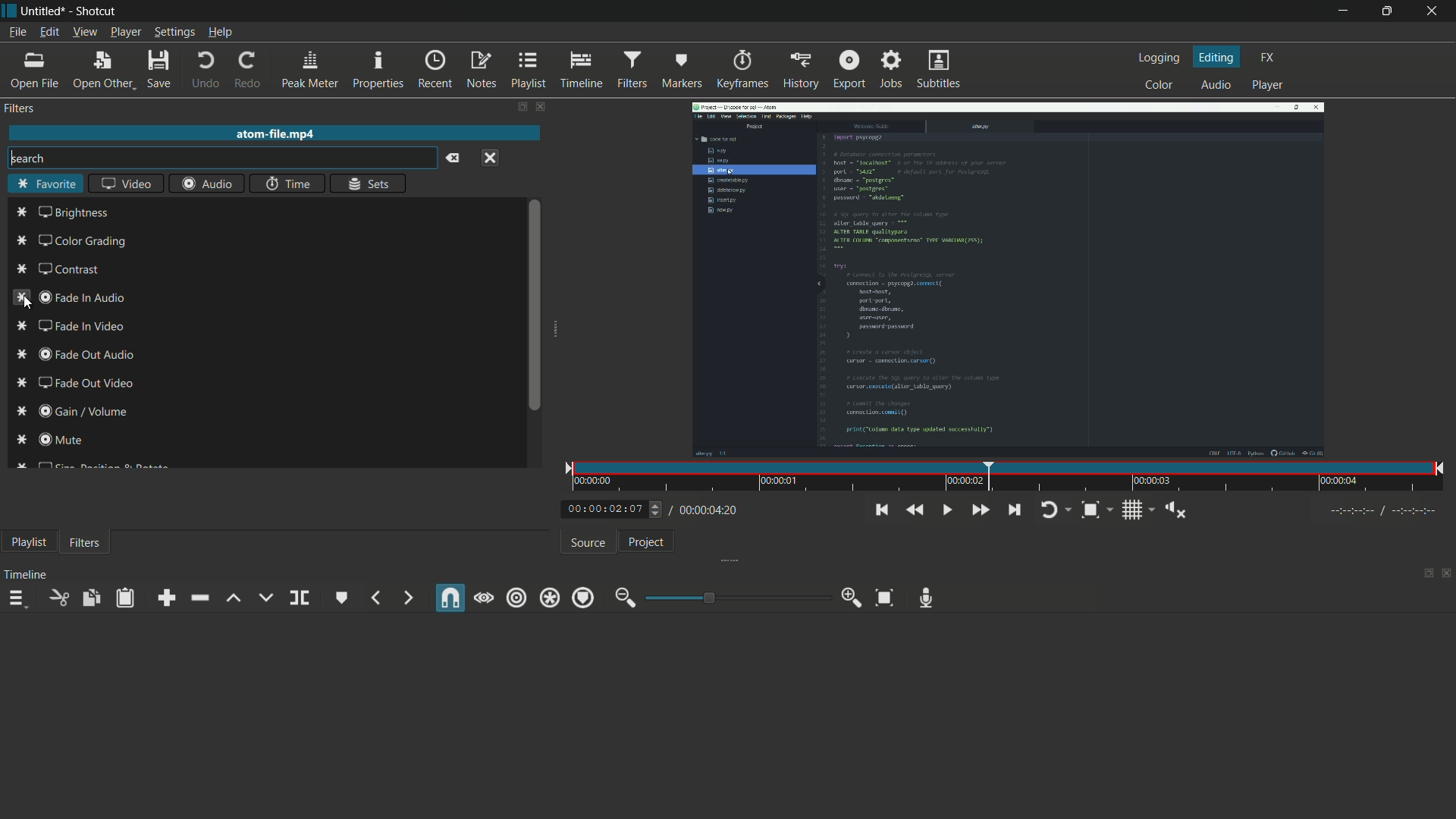 The width and height of the screenshot is (1456, 819). Describe the element at coordinates (61, 439) in the screenshot. I see `mute` at that location.